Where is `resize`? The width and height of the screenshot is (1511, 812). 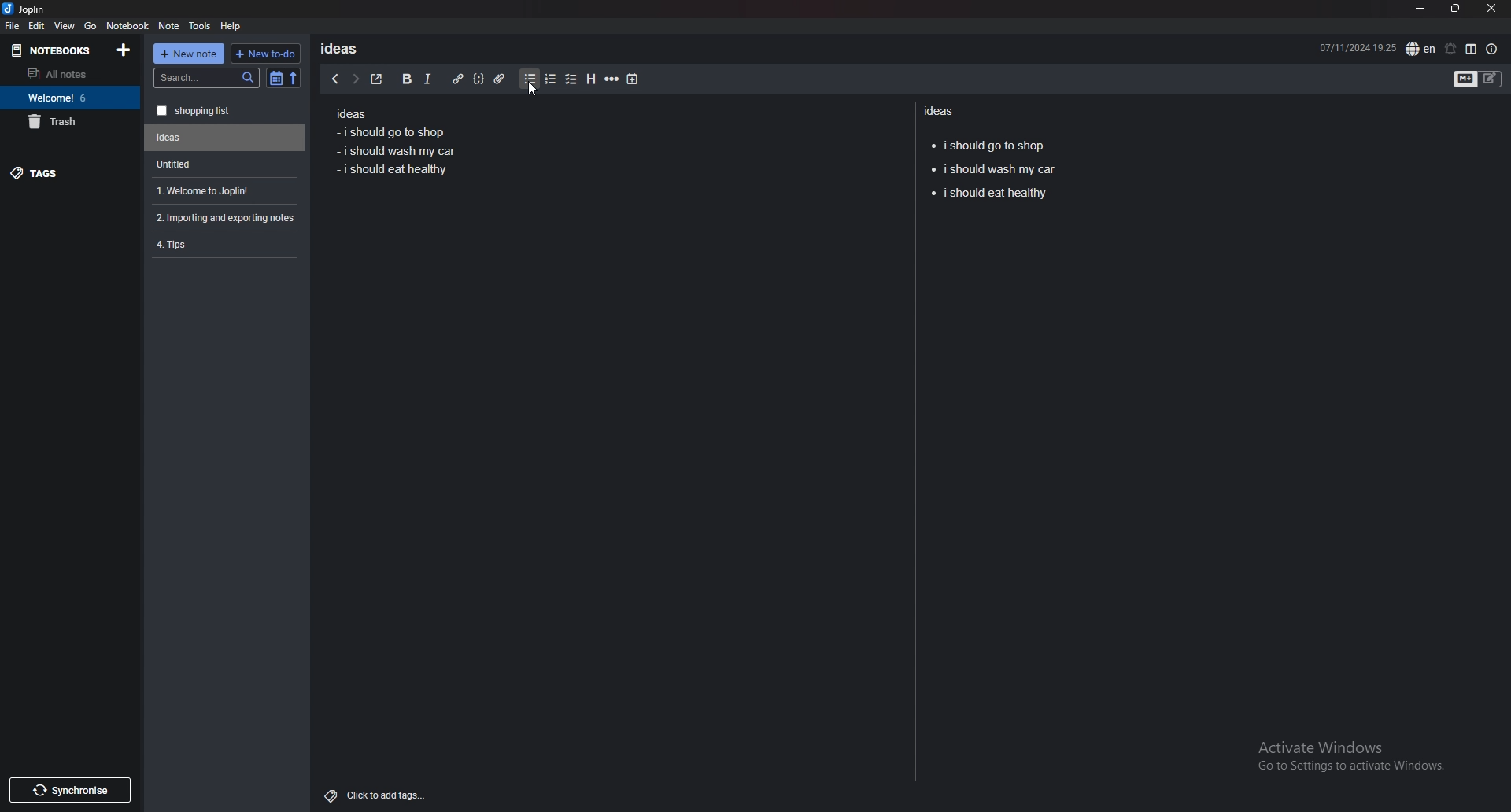
resize is located at coordinates (1455, 9).